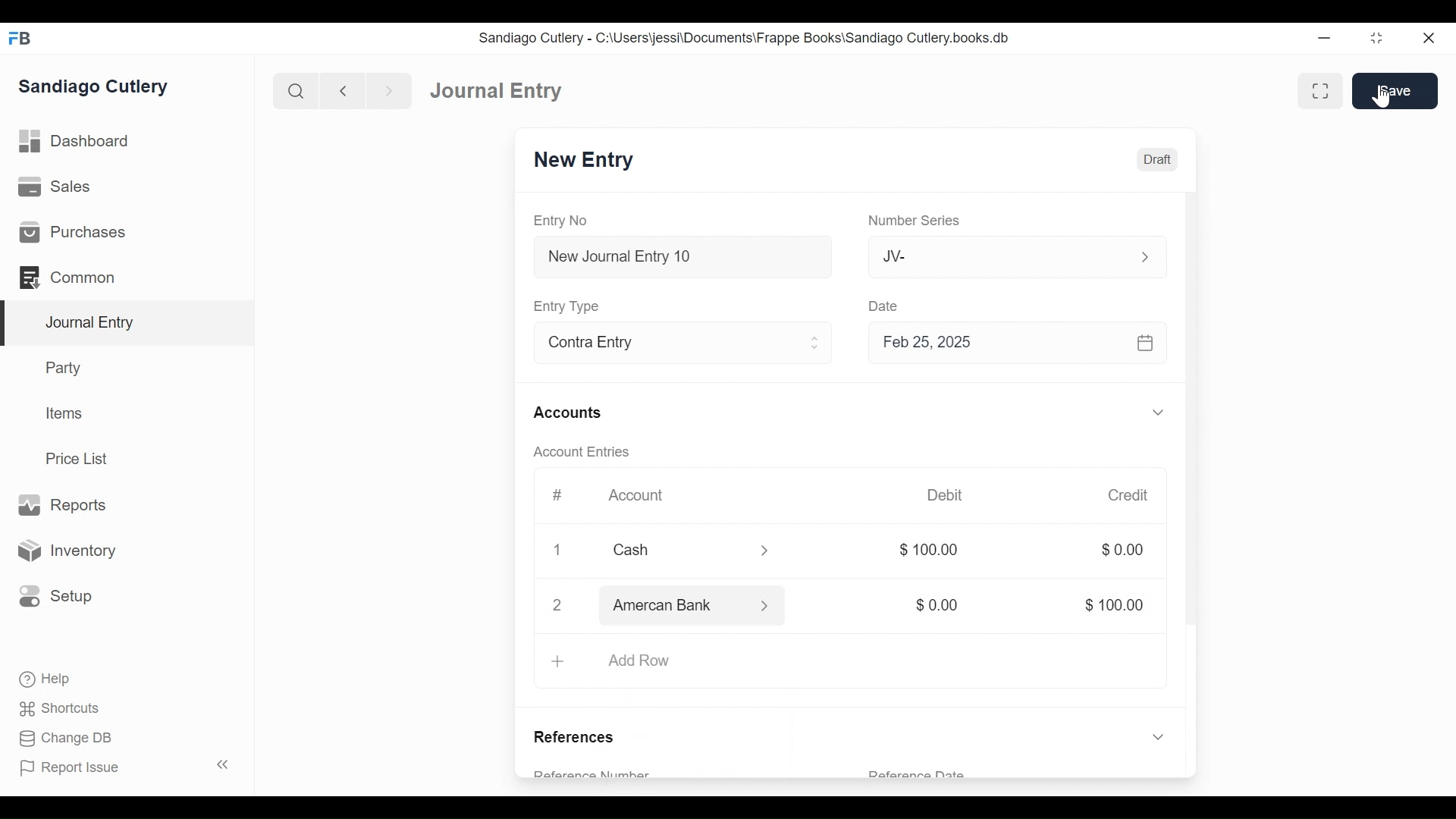 The width and height of the screenshot is (1456, 819). What do you see at coordinates (1194, 434) in the screenshot?
I see `Vertical Scroll bar` at bounding box center [1194, 434].